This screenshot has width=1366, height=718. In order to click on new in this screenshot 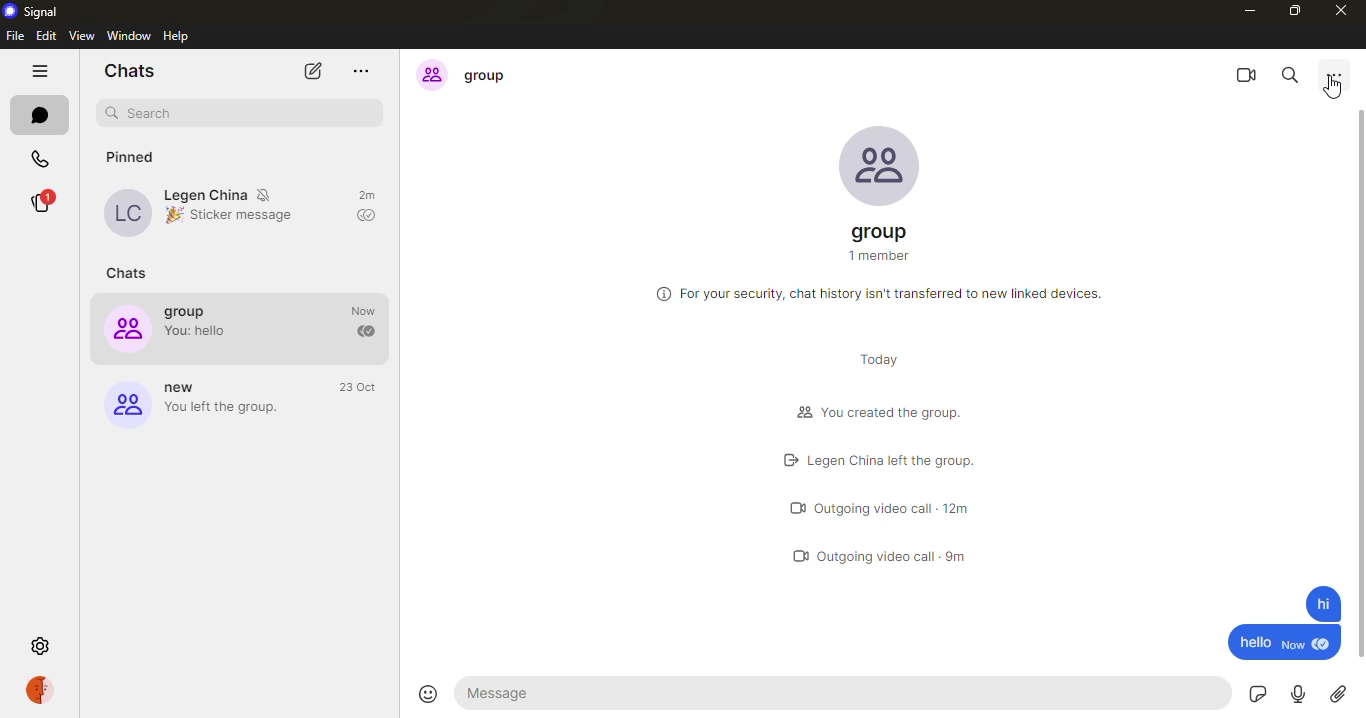, I will do `click(1293, 647)`.